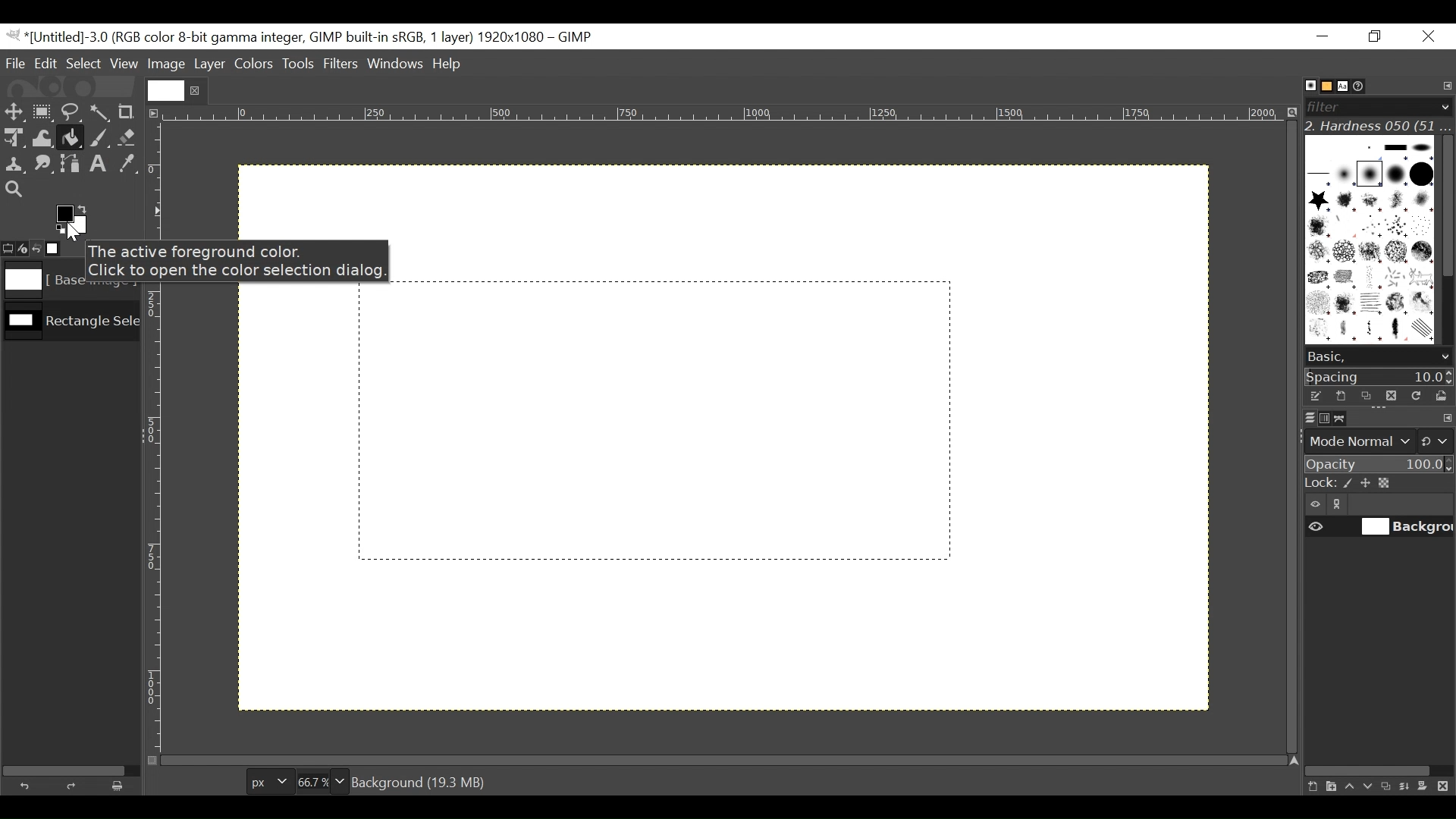 This screenshot has height=819, width=1456. What do you see at coordinates (1379, 376) in the screenshot?
I see `Spacing` at bounding box center [1379, 376].